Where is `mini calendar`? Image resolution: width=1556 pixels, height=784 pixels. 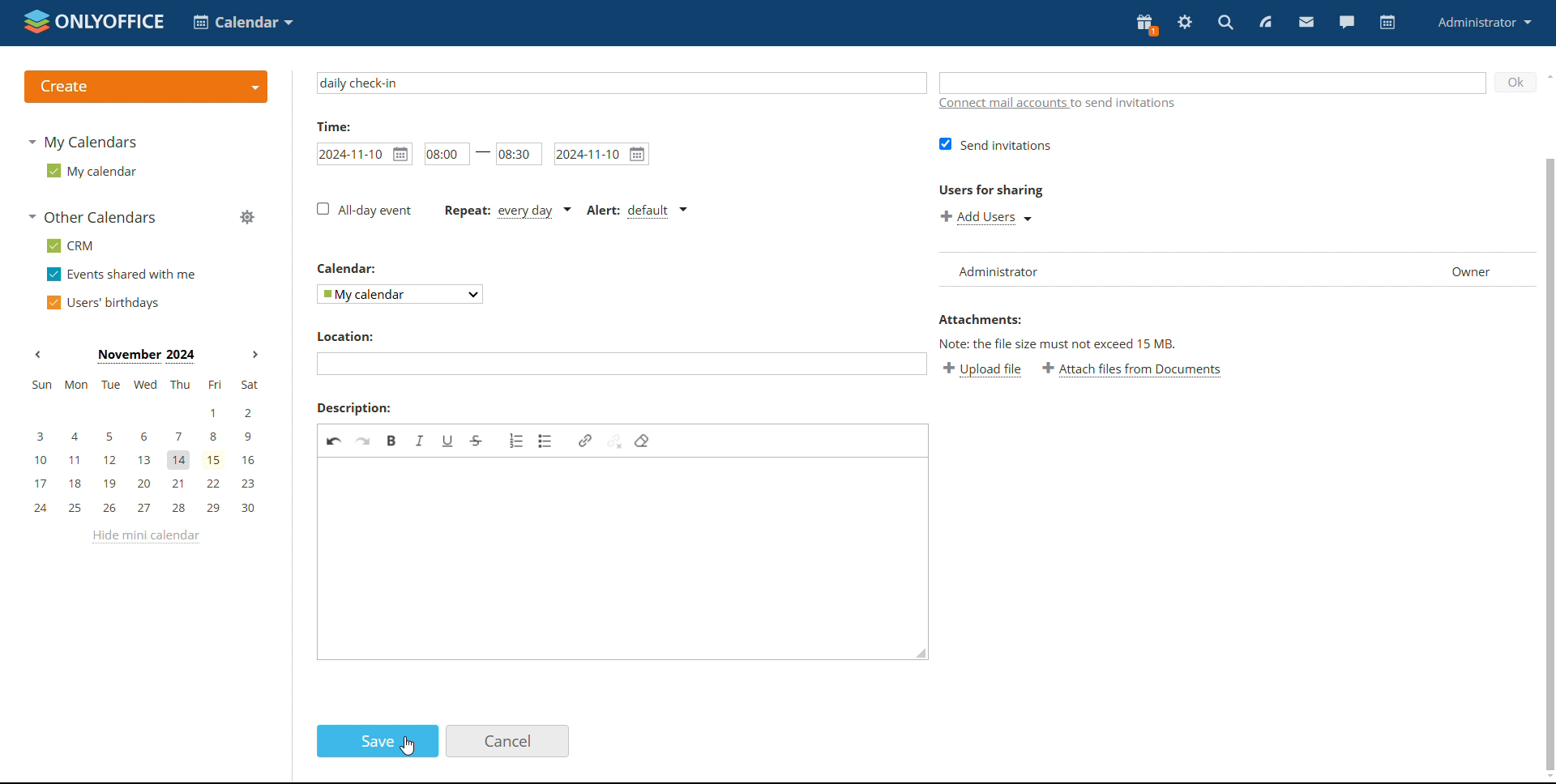 mini calendar is located at coordinates (144, 445).